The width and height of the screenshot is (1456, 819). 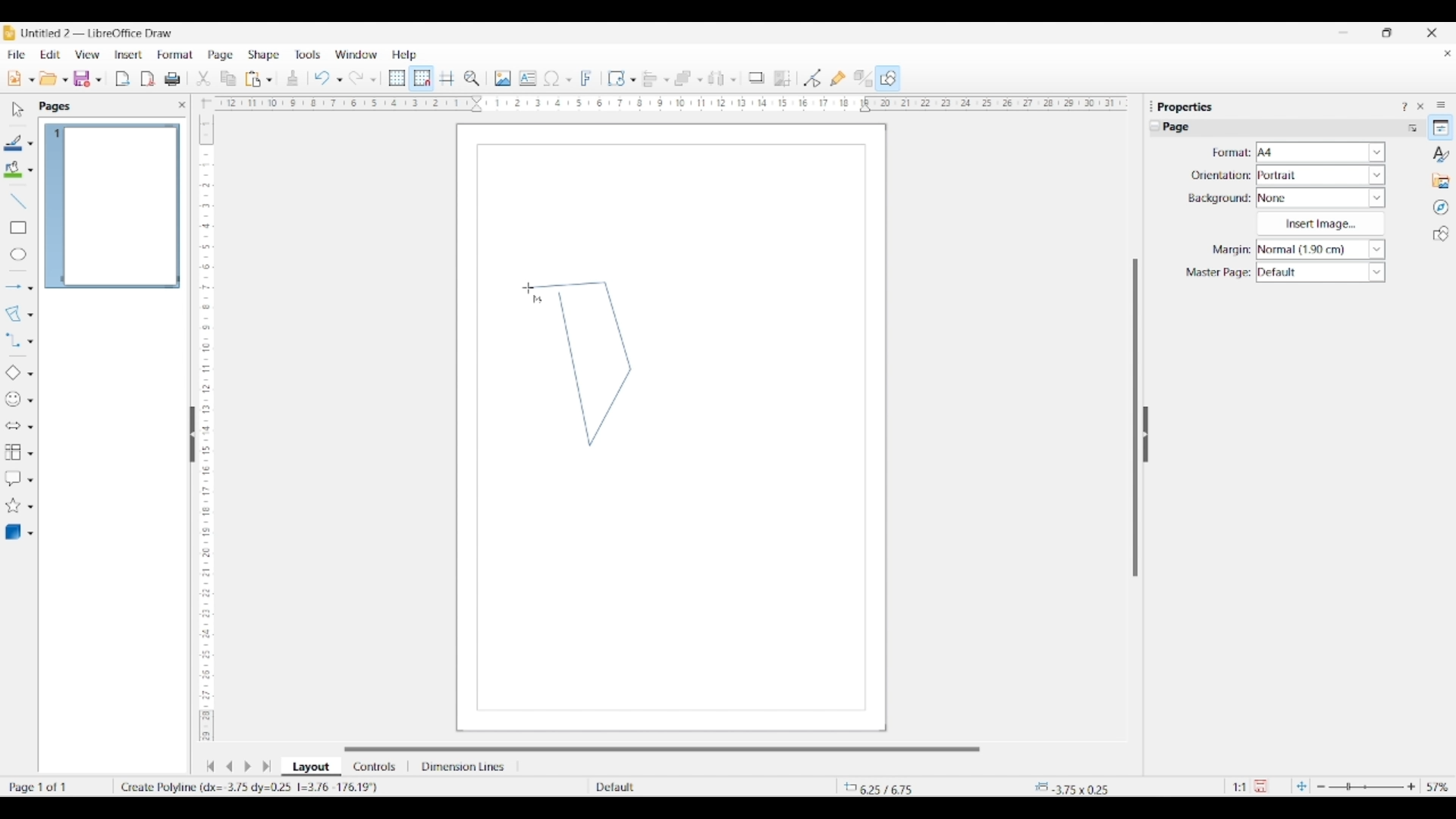 I want to click on Hide right sidebar, so click(x=1145, y=435).